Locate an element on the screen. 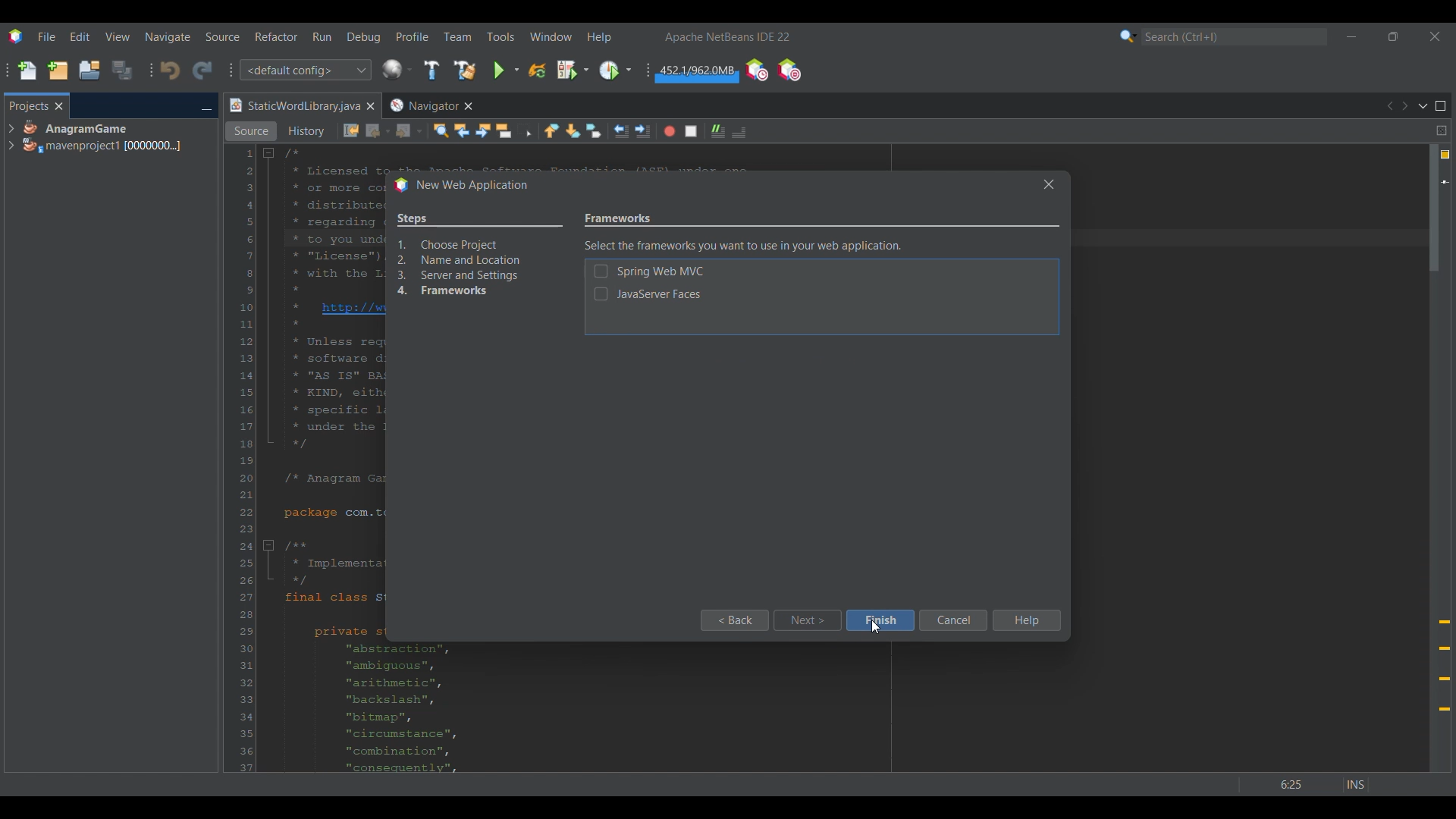 The width and height of the screenshot is (1456, 819). Find selection is located at coordinates (441, 130).